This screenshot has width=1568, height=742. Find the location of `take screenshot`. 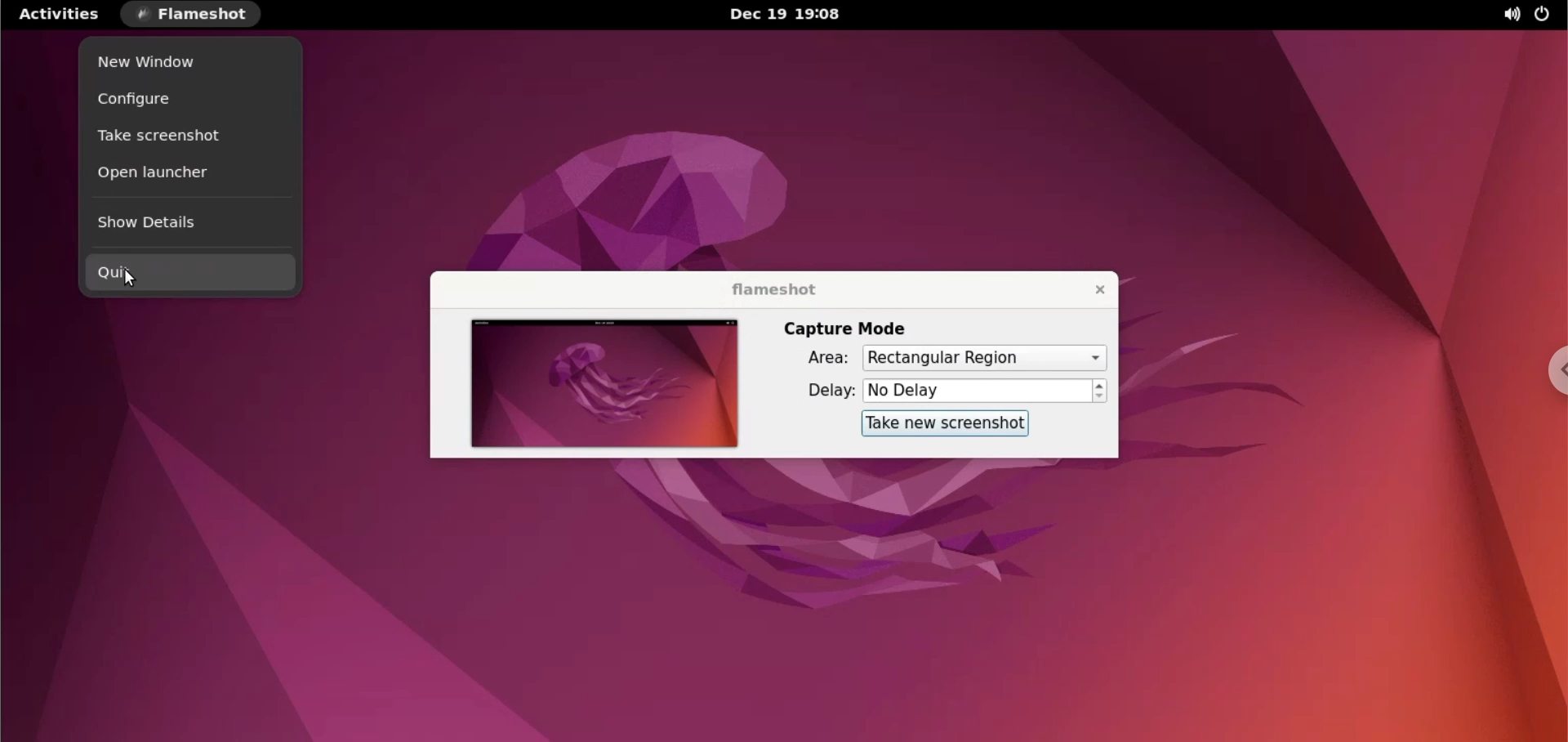

take screenshot is located at coordinates (189, 141).